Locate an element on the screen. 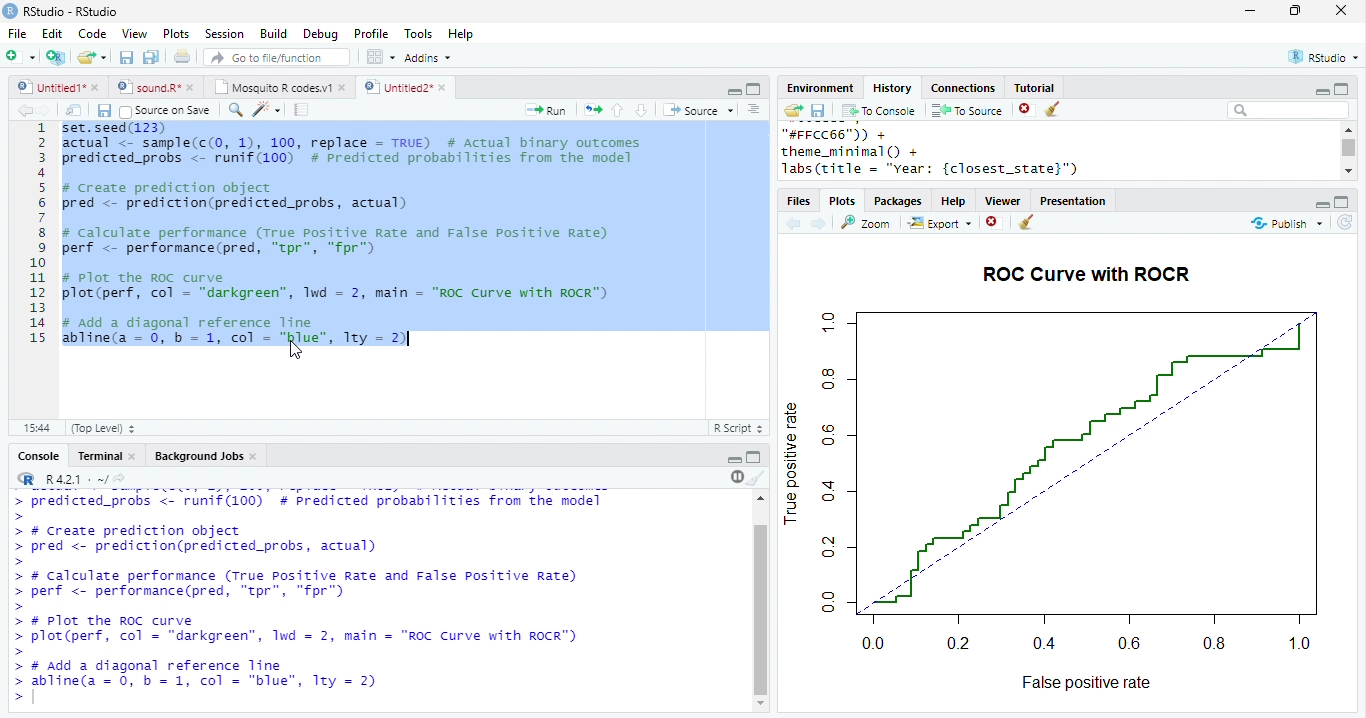  > # Plot the ROC curve> plot(perf, col = "darkgreen”, Twd = 2, main = "ROC Curve with ROCR")> is located at coordinates (310, 636).